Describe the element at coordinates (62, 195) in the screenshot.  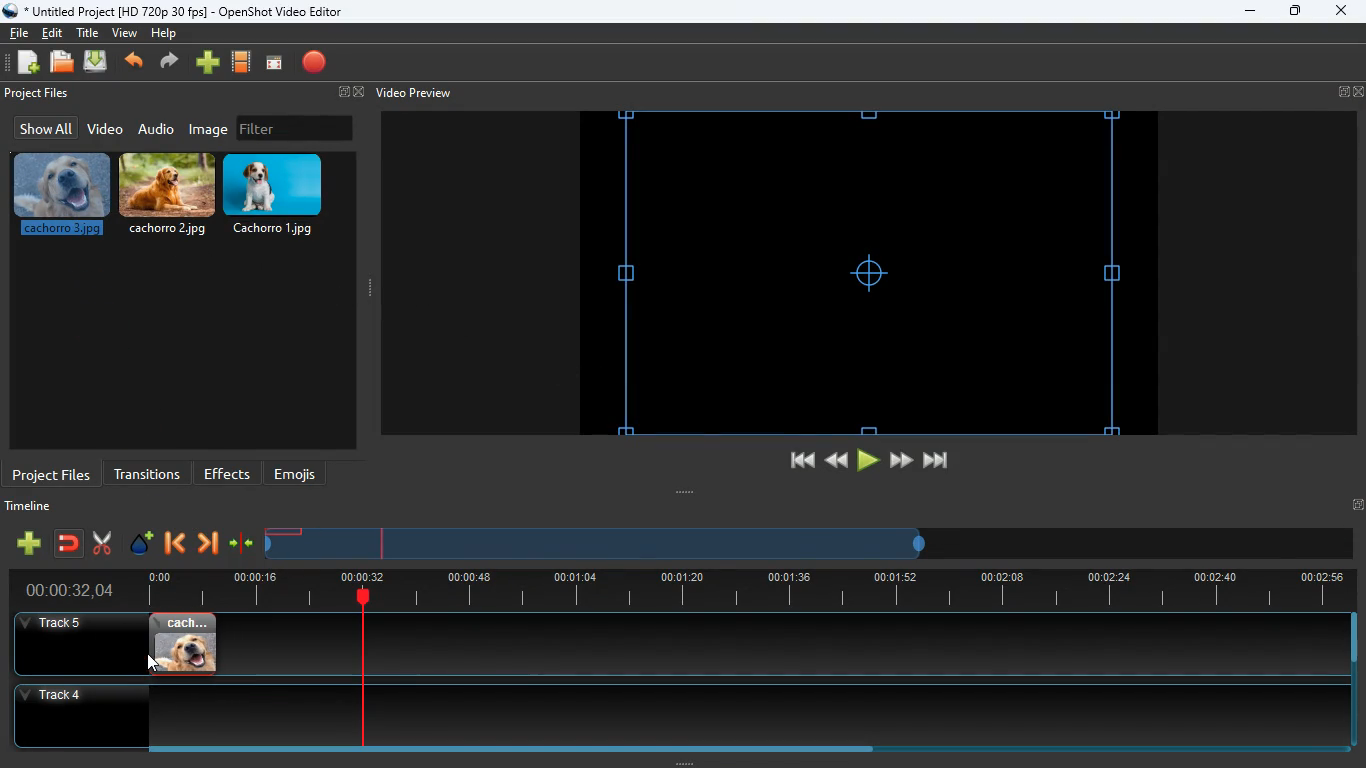
I see `cachorro.3.jpg` at that location.